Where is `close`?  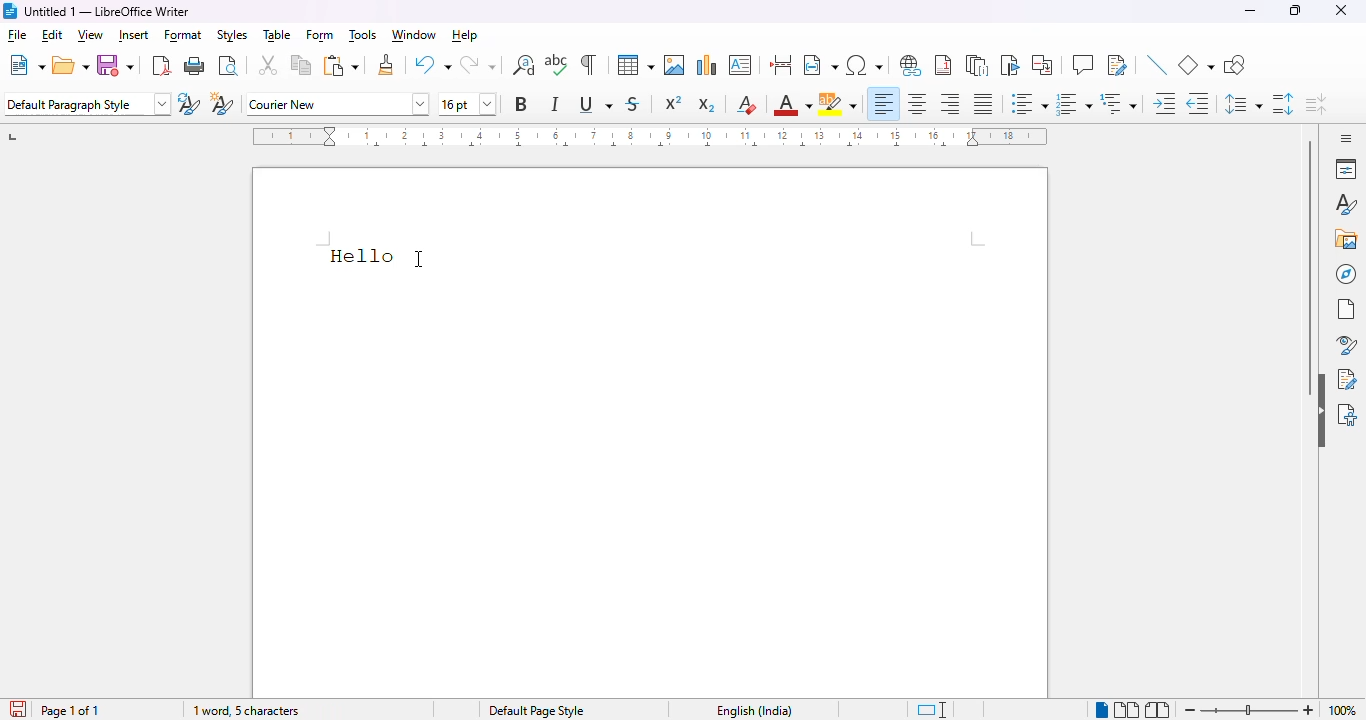
close is located at coordinates (1343, 10).